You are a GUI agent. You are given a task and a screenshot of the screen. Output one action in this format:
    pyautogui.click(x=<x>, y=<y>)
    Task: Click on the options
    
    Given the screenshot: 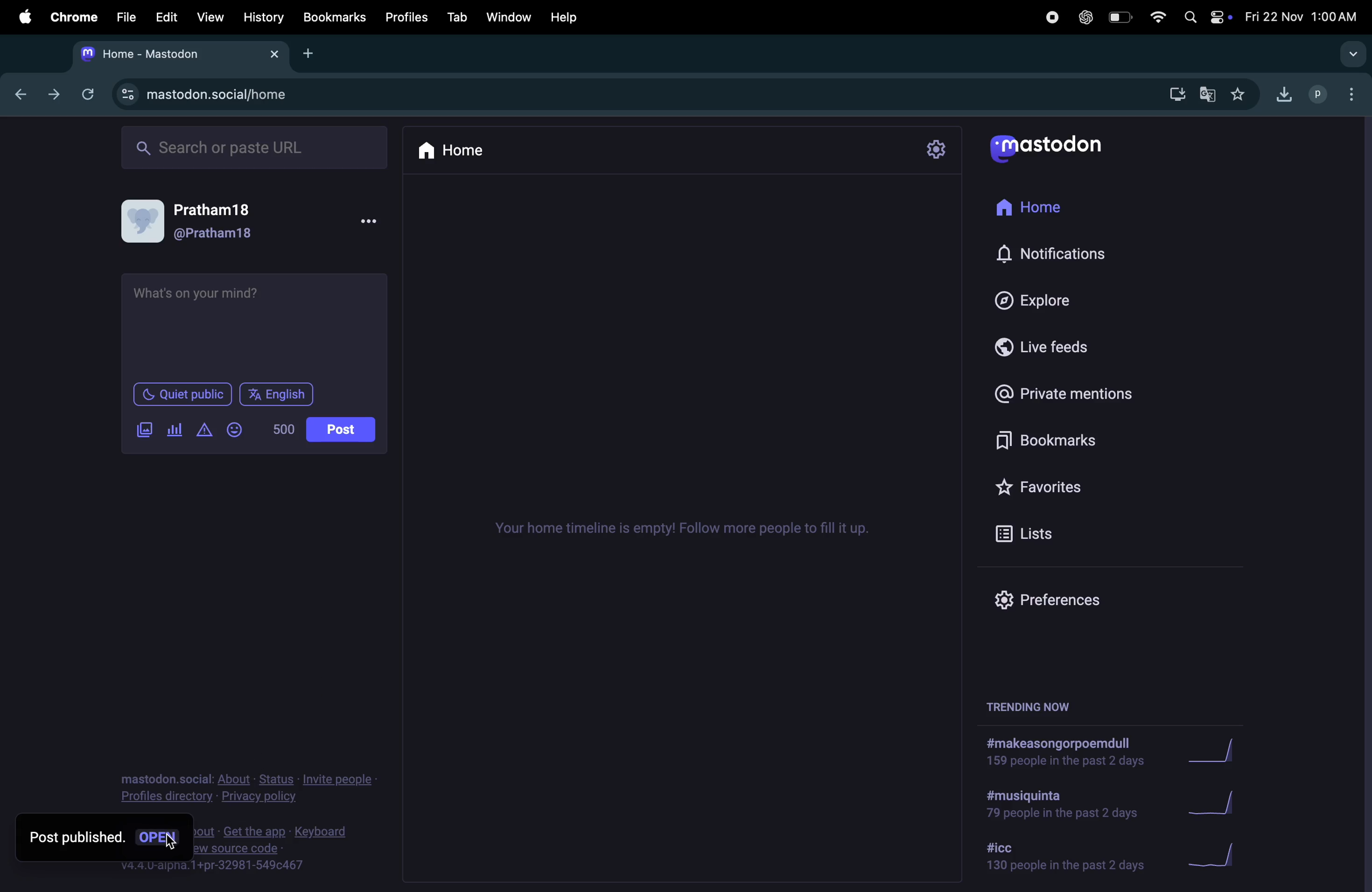 What is the action you would take?
    pyautogui.click(x=1348, y=91)
    